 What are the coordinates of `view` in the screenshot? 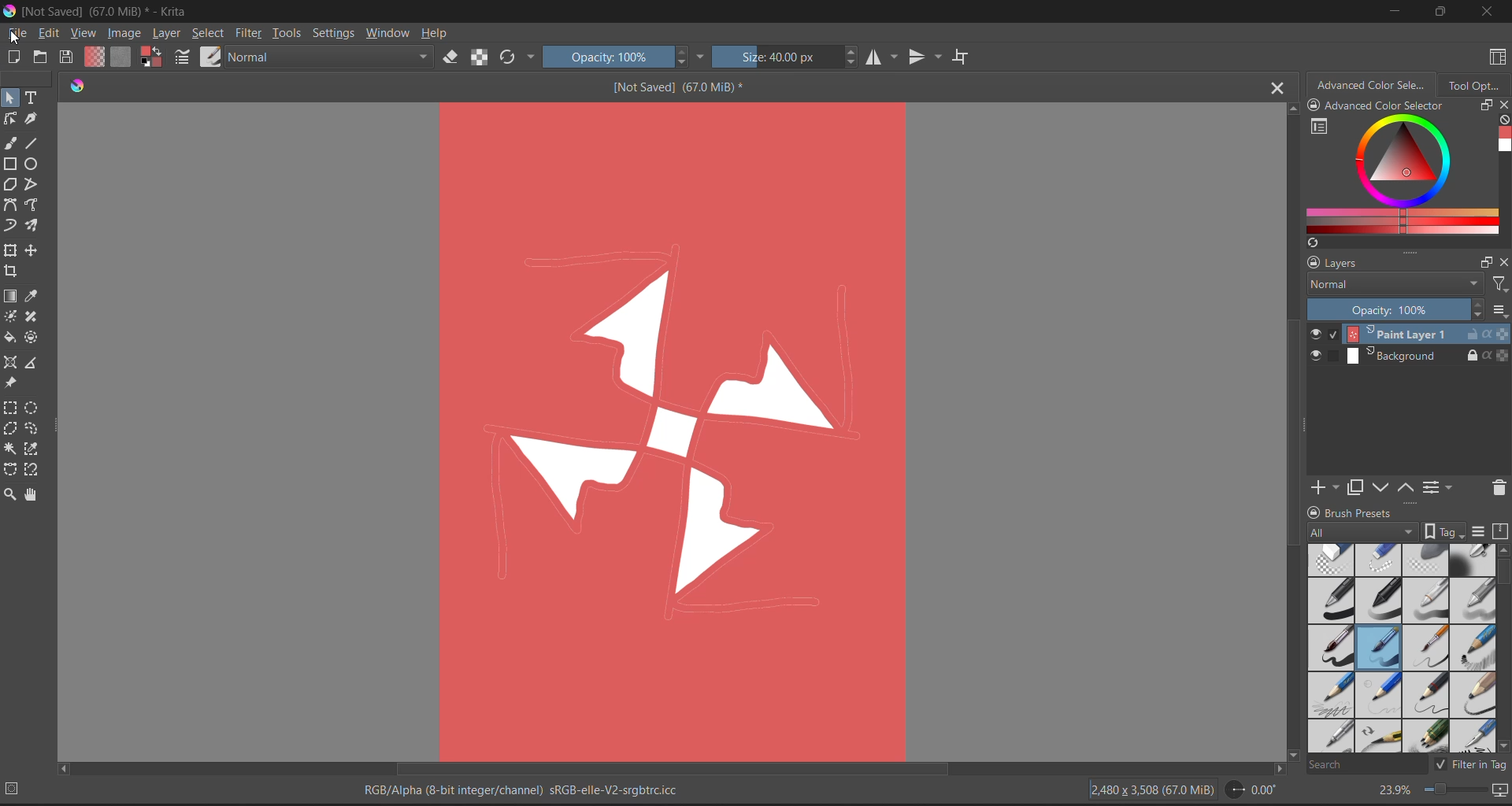 It's located at (83, 33).